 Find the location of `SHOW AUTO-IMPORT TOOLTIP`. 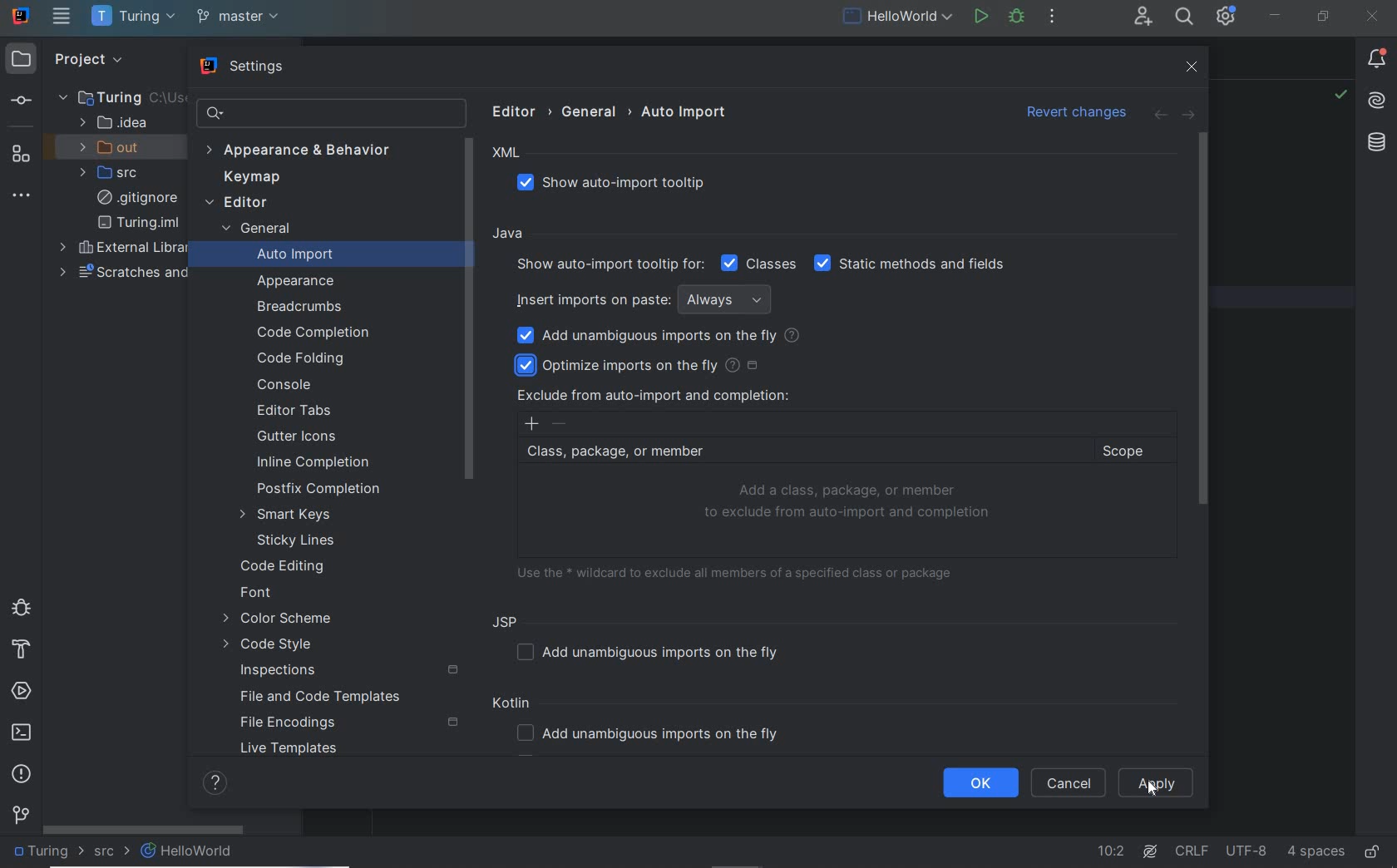

SHOW AUTO-IMPORT TOOLTIP is located at coordinates (621, 184).